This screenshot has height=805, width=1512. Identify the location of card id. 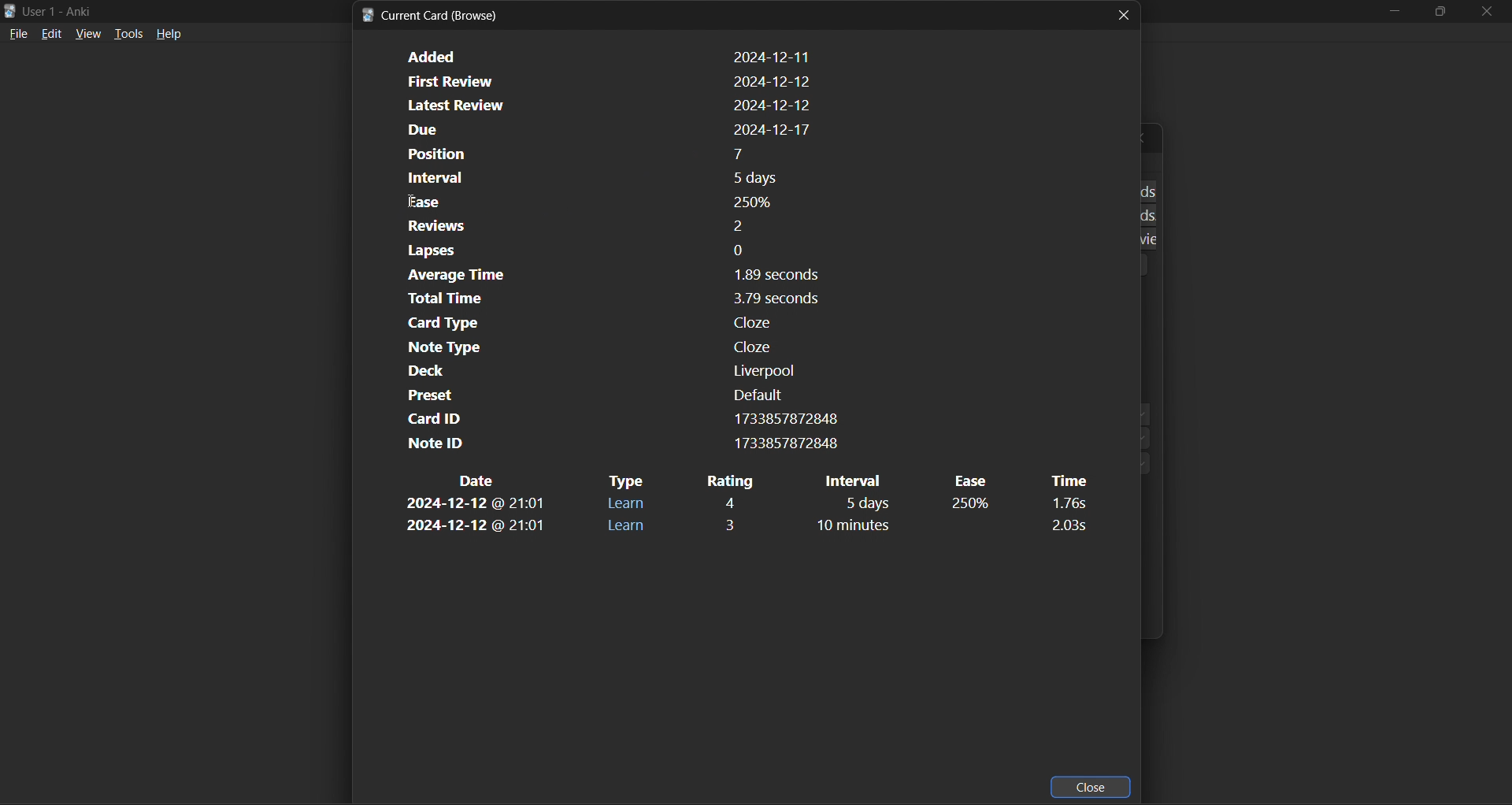
(618, 418).